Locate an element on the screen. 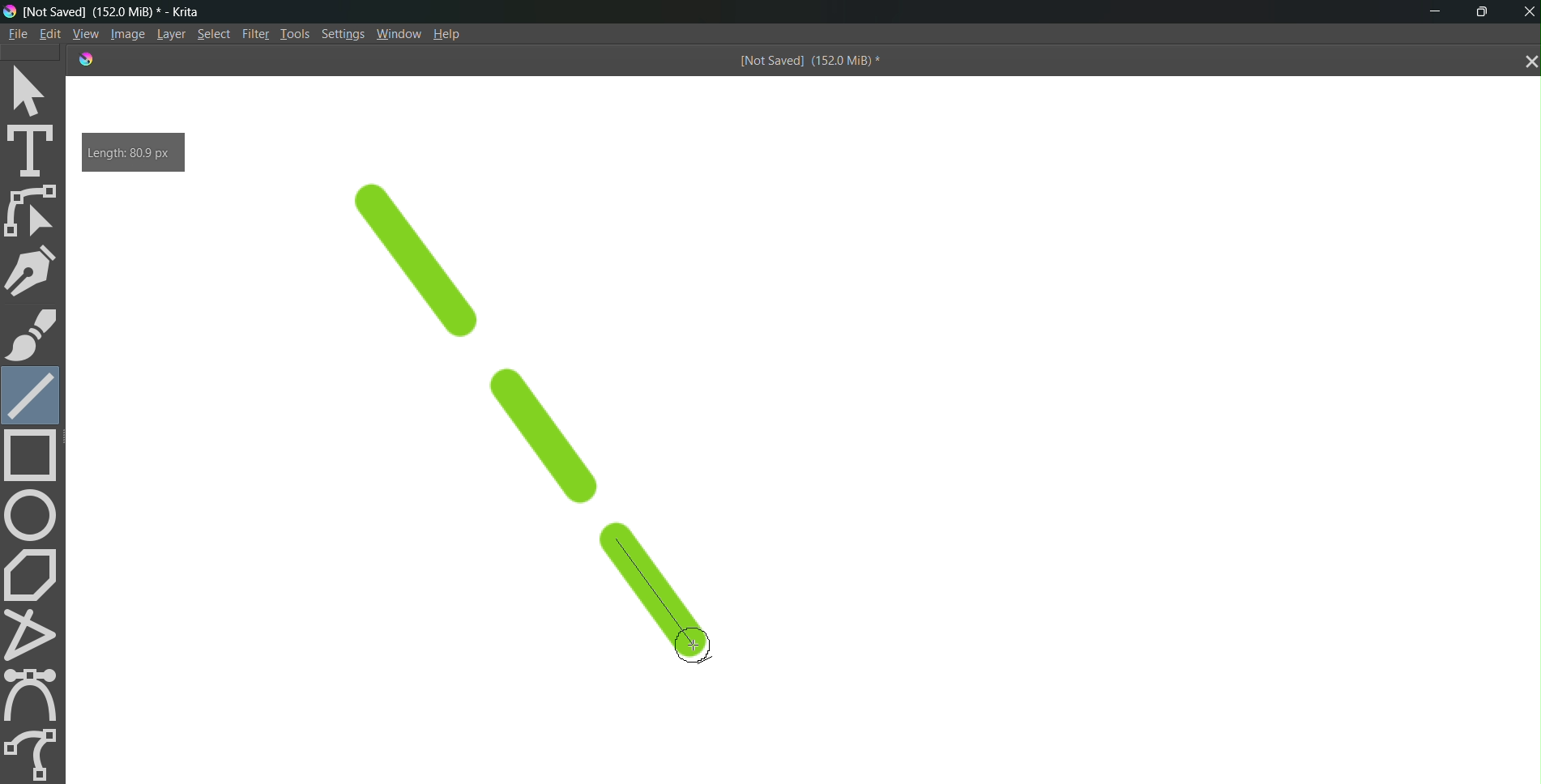 This screenshot has height=784, width=1541. line is located at coordinates (649, 605).